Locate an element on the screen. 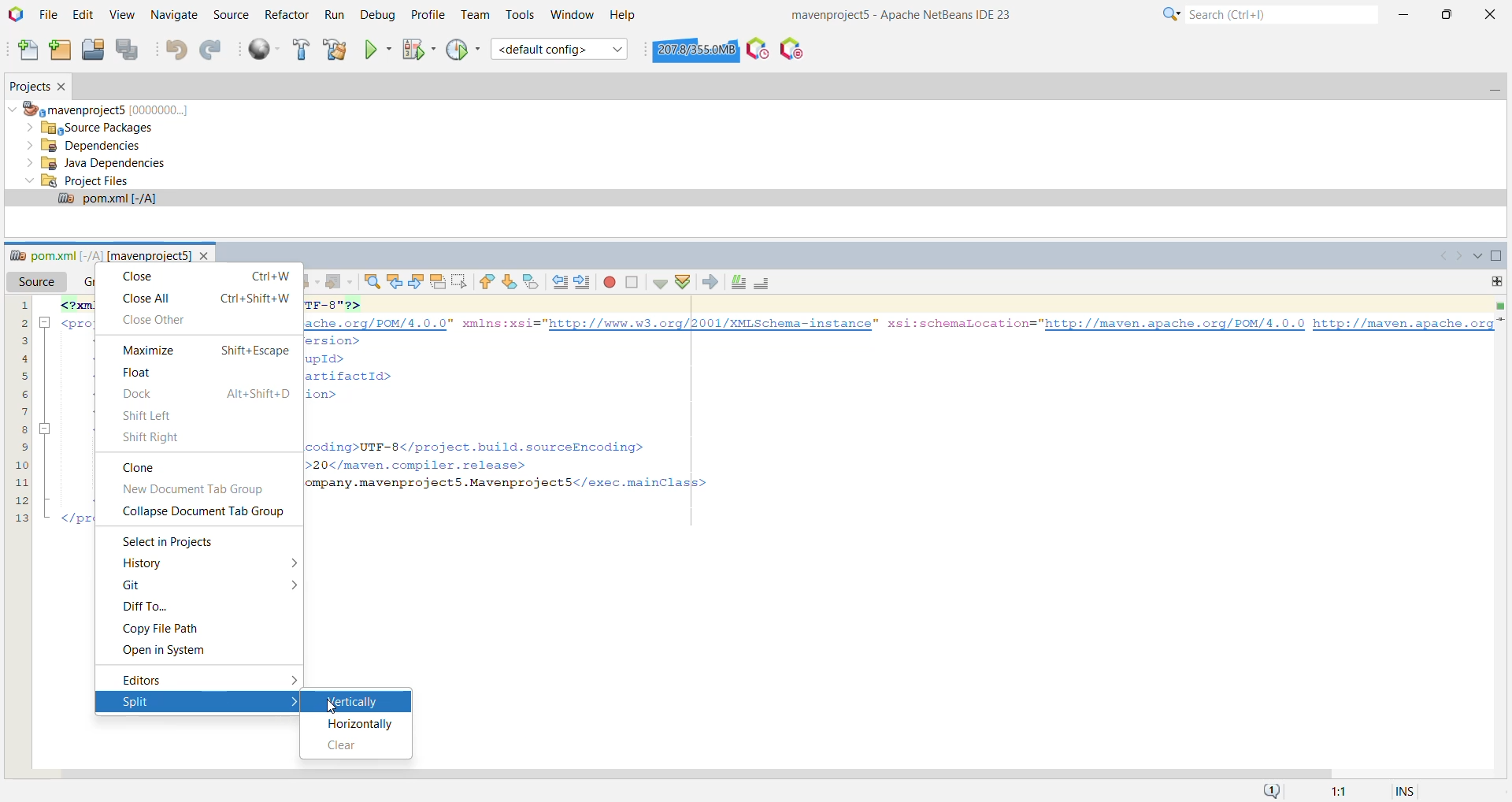 Image resolution: width=1512 pixels, height=802 pixels. Team is located at coordinates (473, 15).